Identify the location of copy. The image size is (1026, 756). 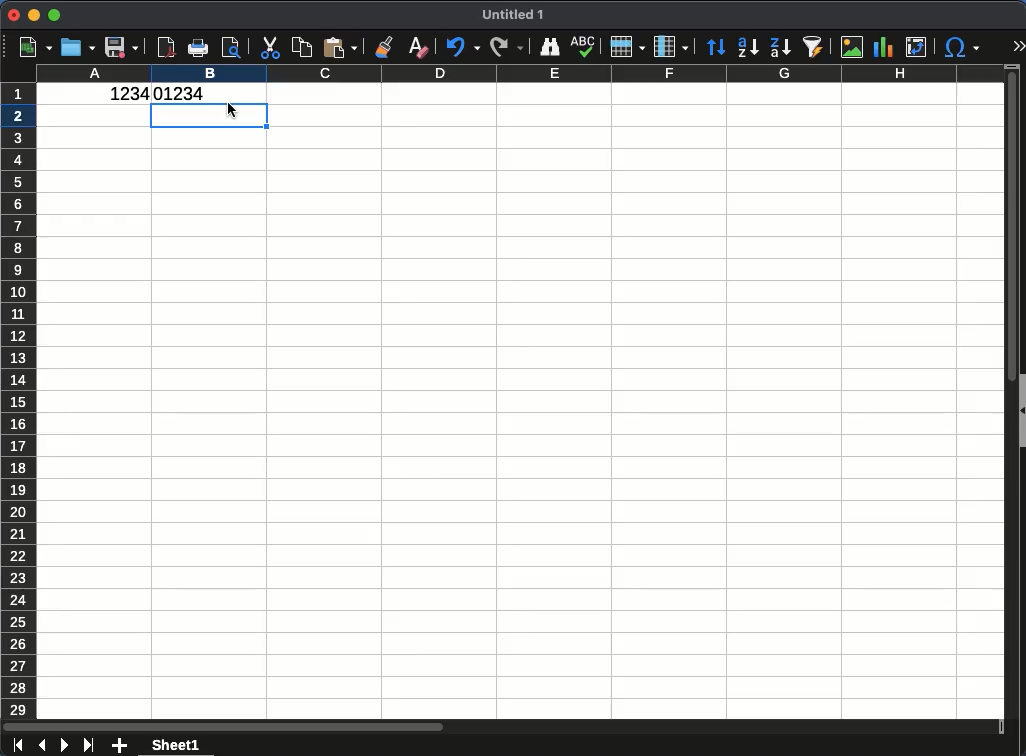
(301, 48).